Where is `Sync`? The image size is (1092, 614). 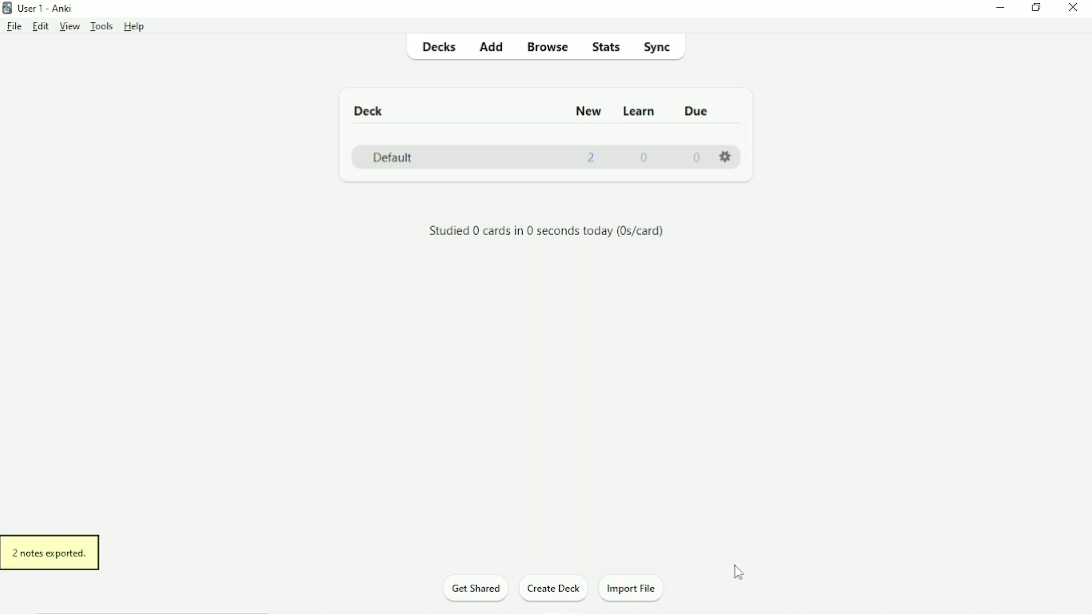
Sync is located at coordinates (657, 46).